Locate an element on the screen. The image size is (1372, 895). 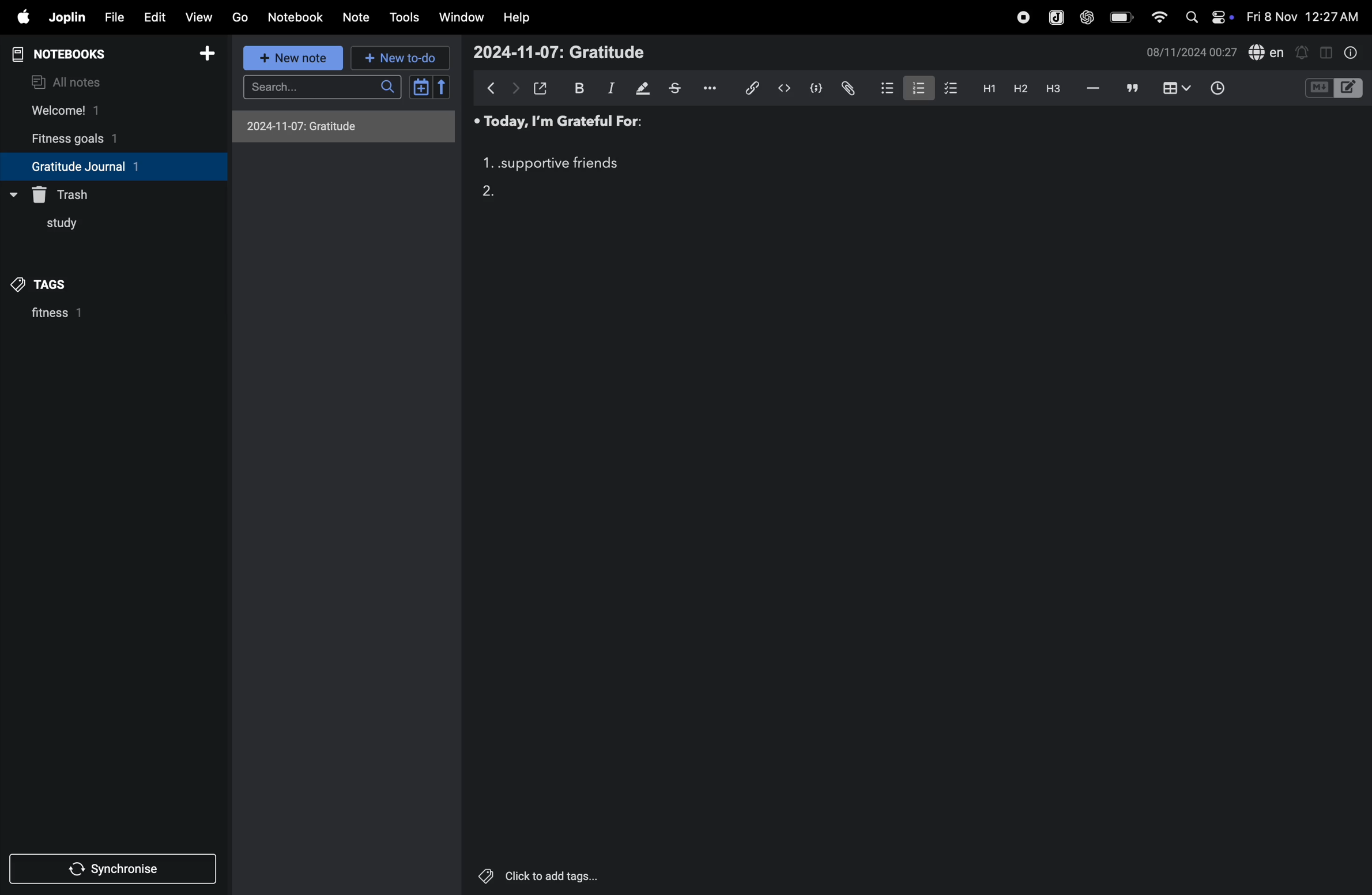
notebook is located at coordinates (296, 17).